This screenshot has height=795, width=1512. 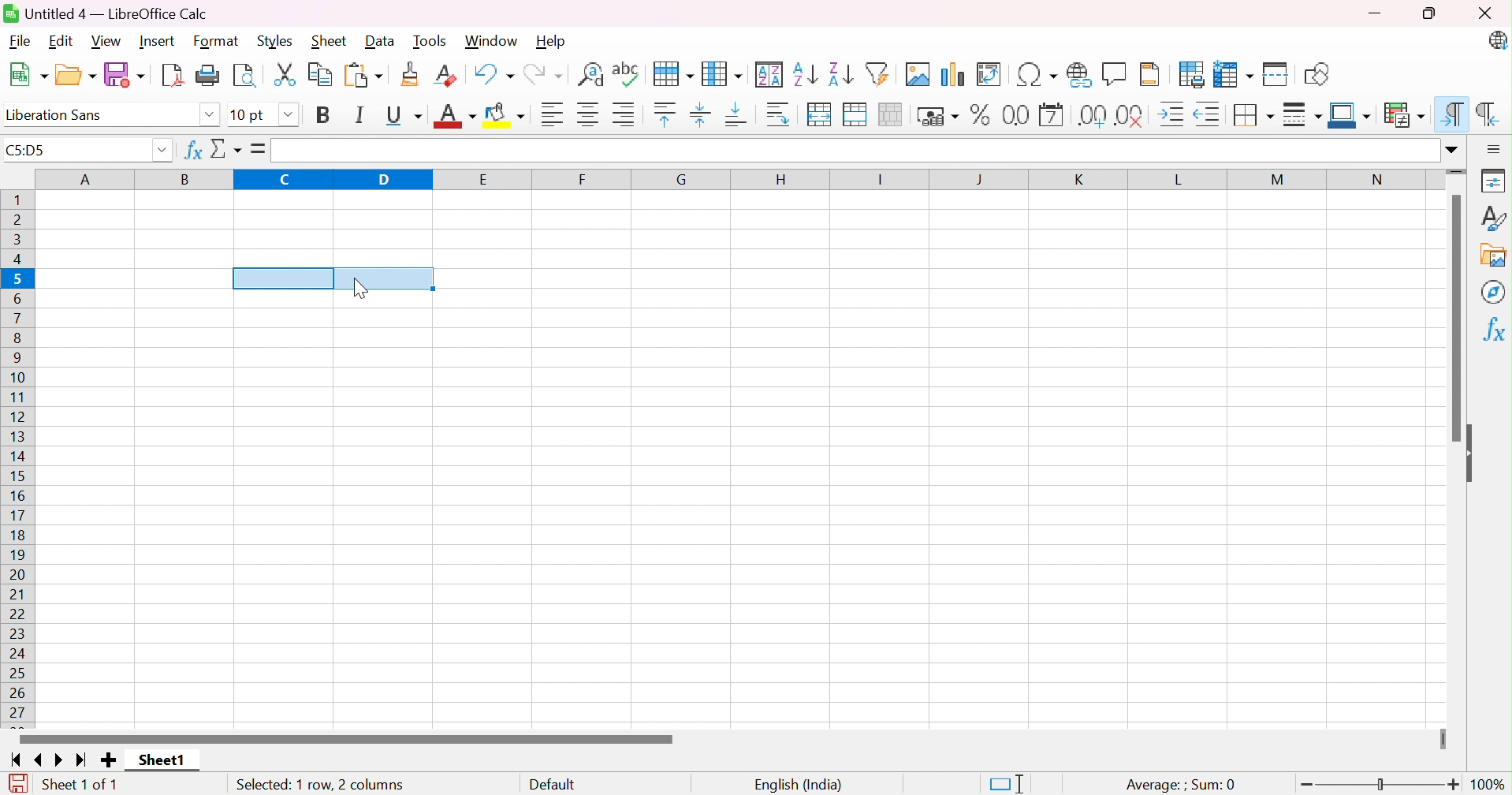 I want to click on Define Print Area, so click(x=1191, y=74).